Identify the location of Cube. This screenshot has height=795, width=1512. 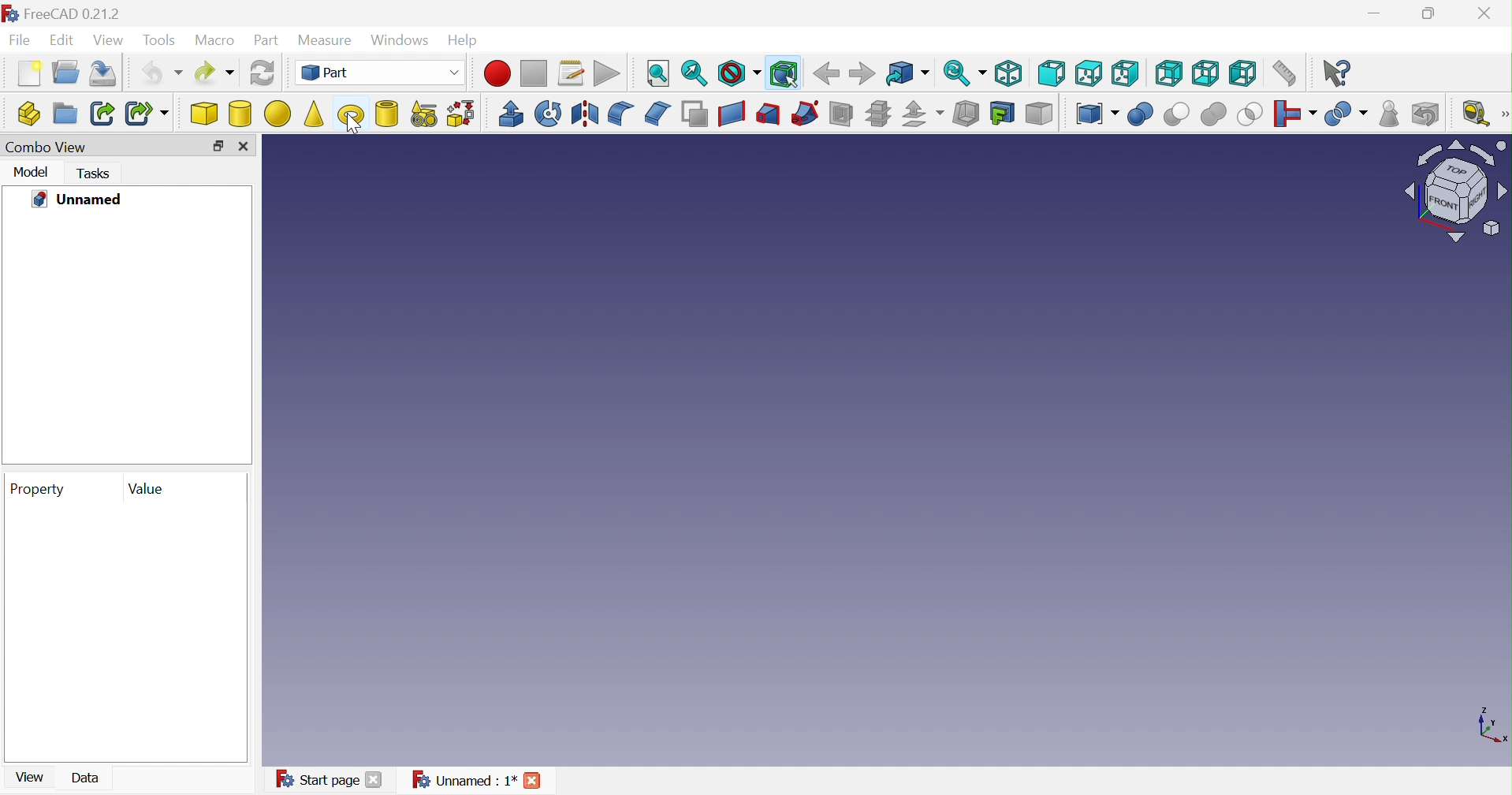
(203, 114).